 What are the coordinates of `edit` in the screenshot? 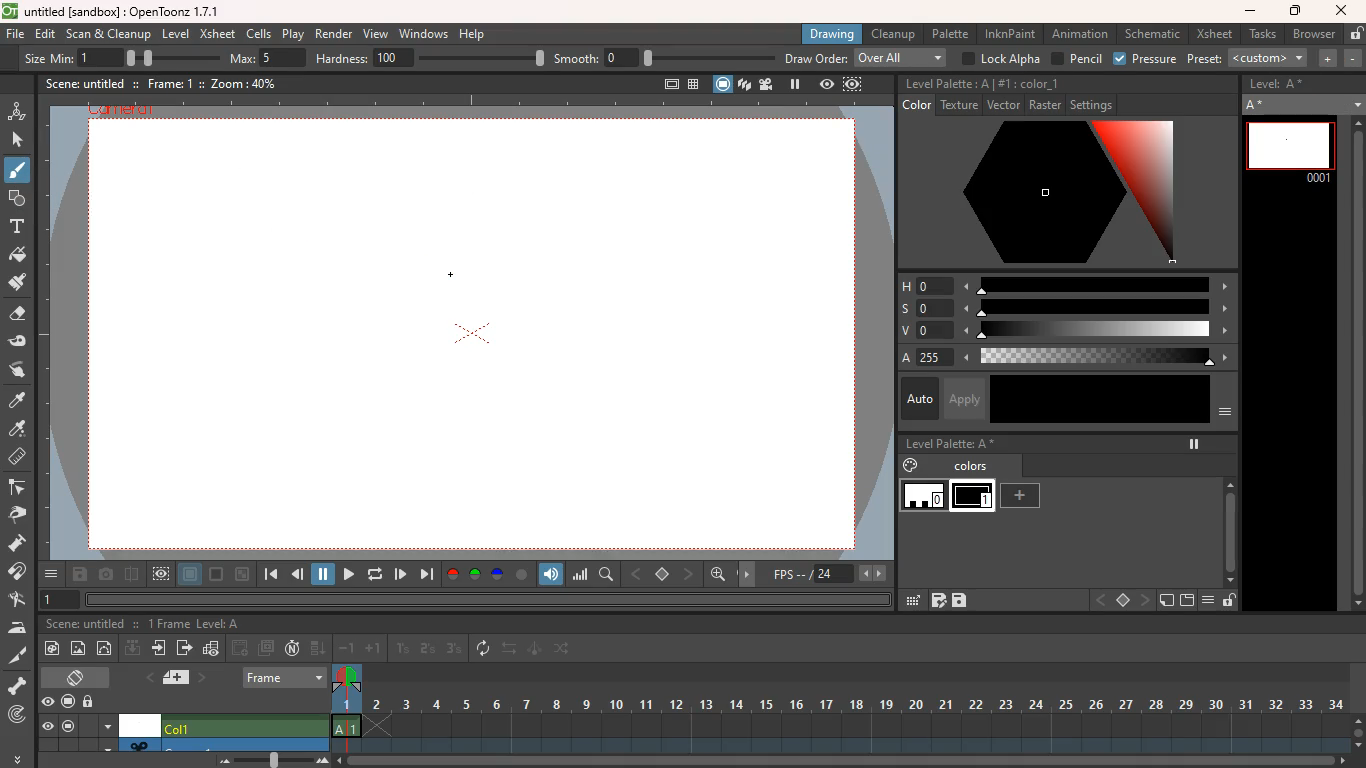 It's located at (46, 34).